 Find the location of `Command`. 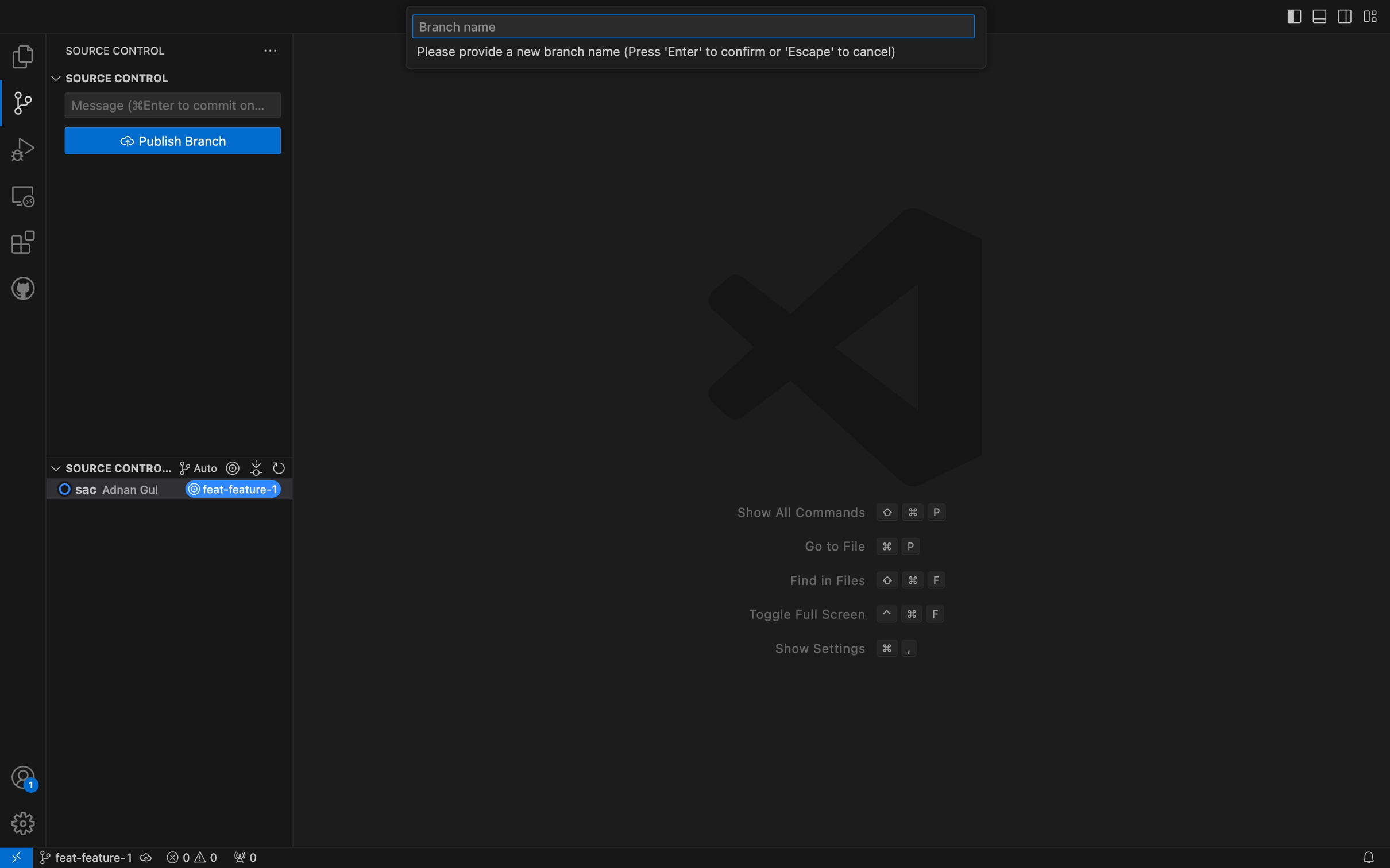

Command is located at coordinates (916, 616).